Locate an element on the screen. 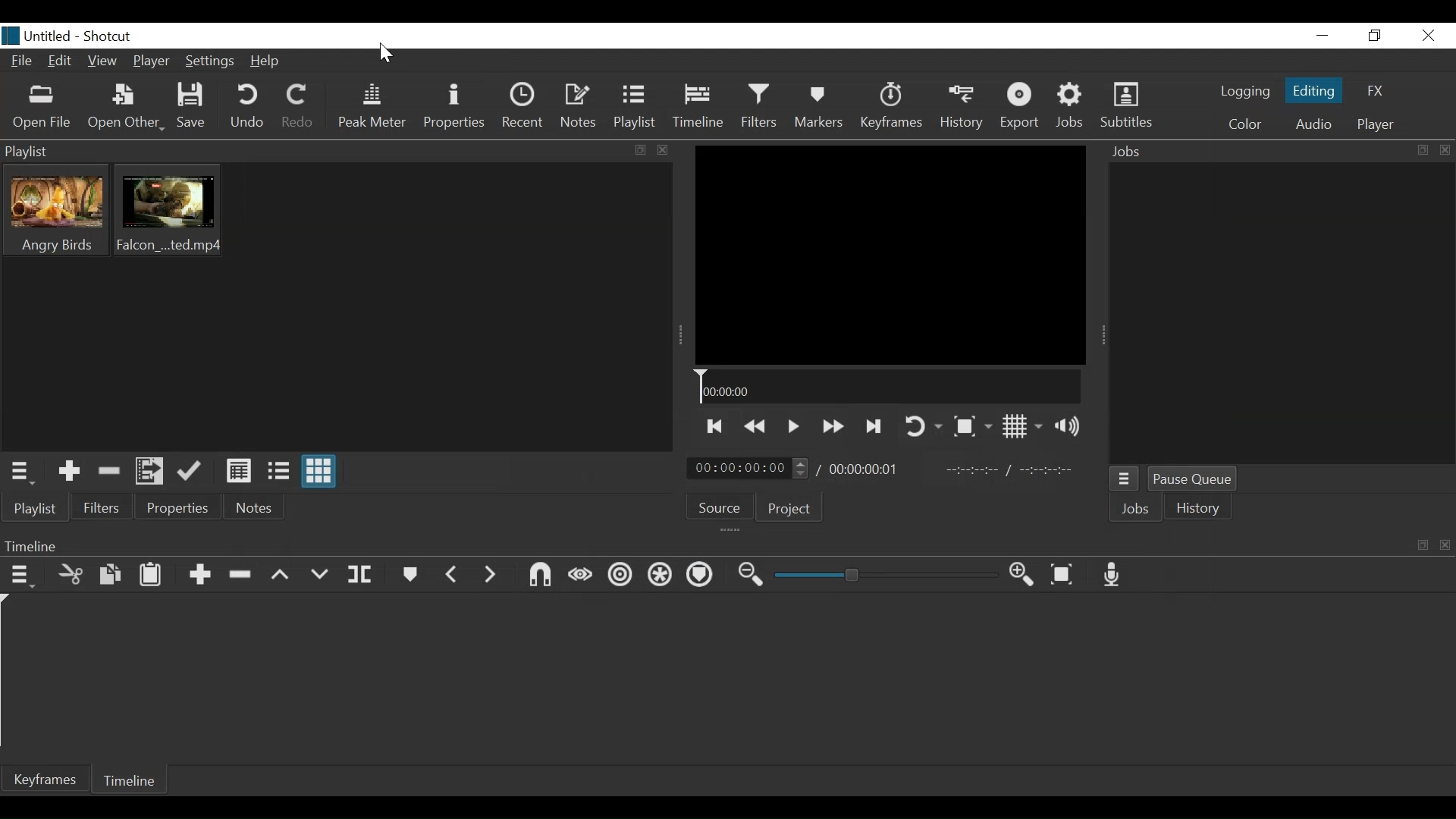 This screenshot has width=1456, height=819. Ripple Markers is located at coordinates (702, 576).